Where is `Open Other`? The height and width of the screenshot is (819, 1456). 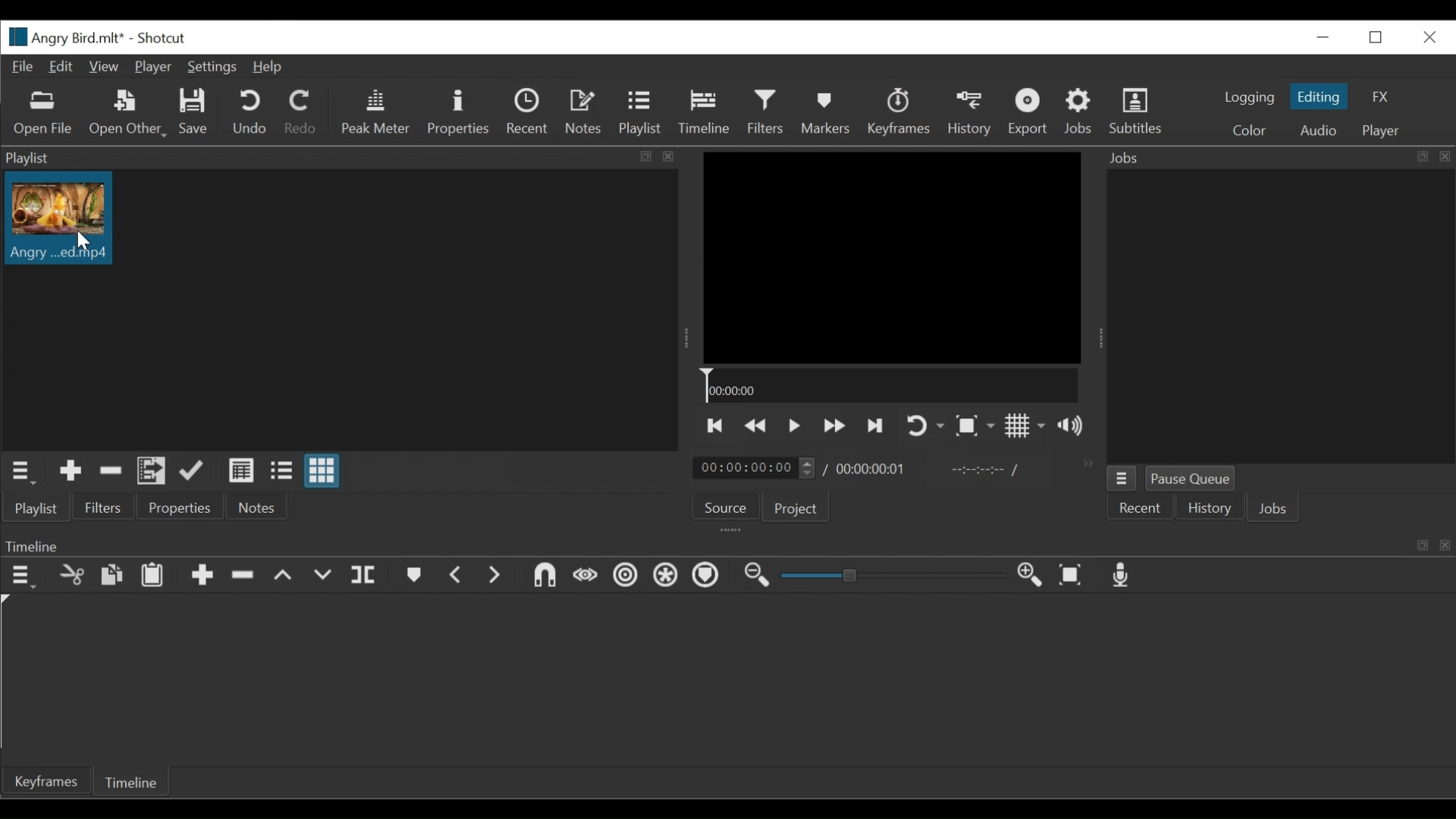 Open Other is located at coordinates (127, 112).